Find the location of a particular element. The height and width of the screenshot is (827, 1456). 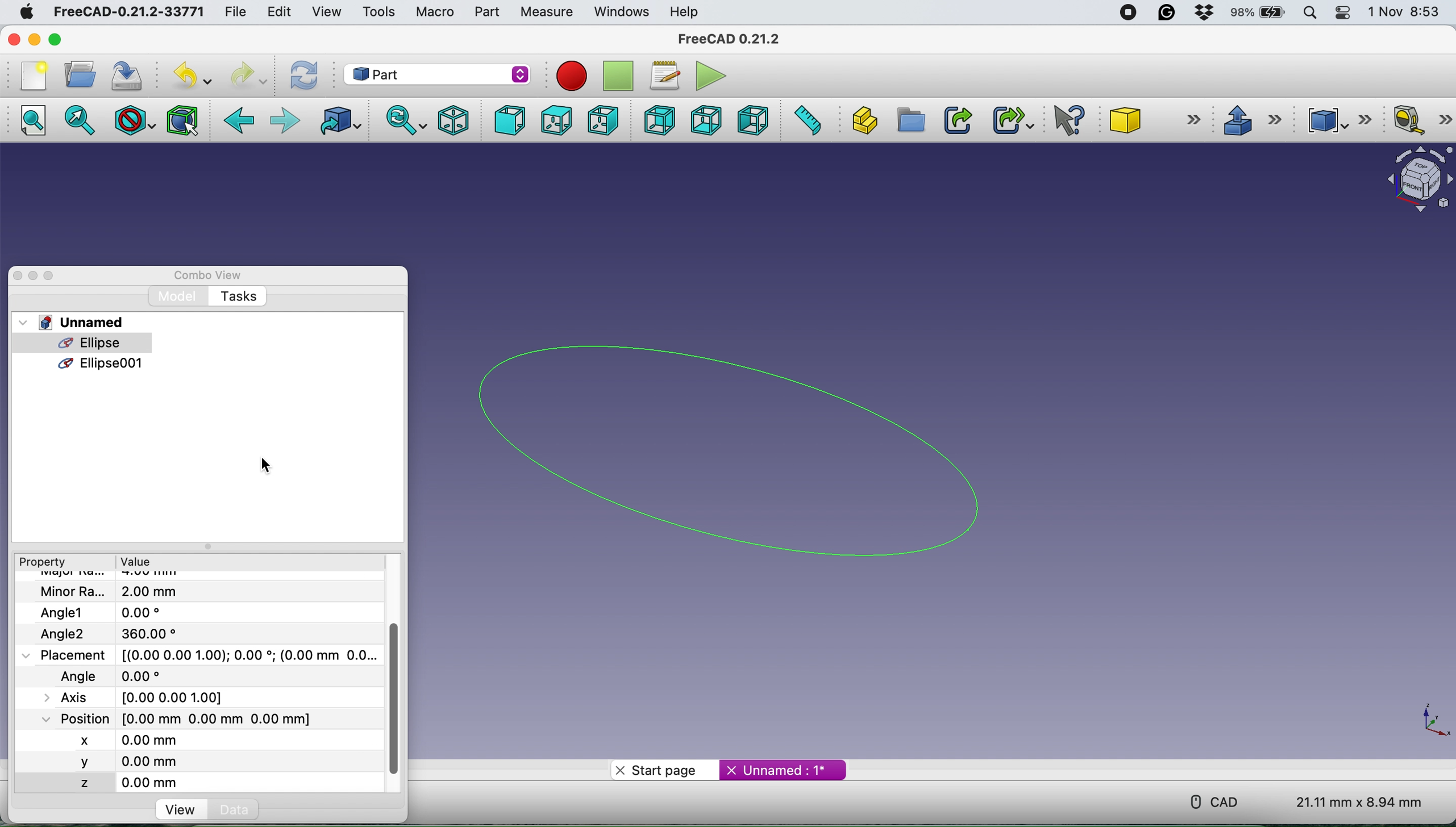

battery is located at coordinates (1257, 14).